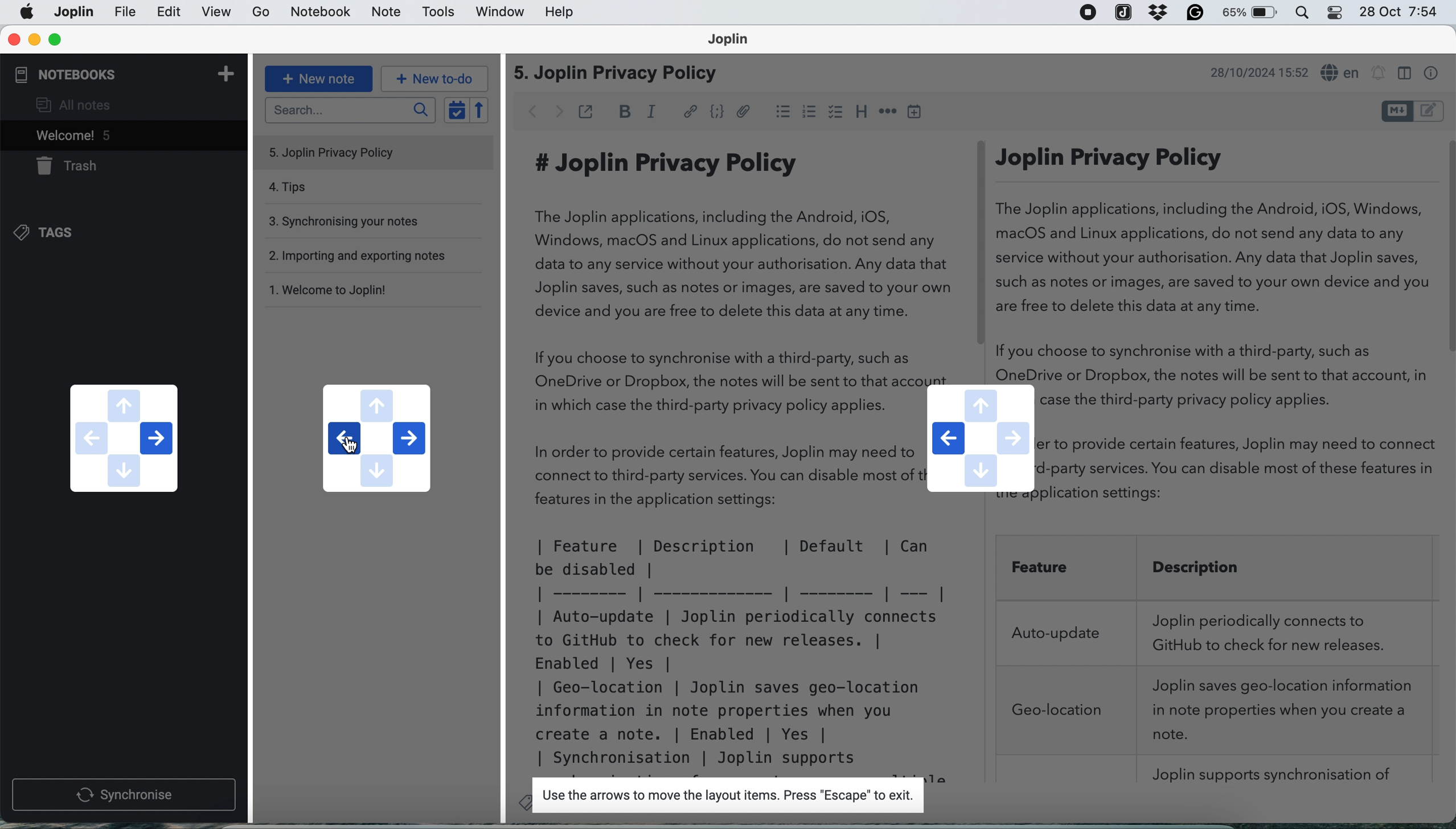  Describe the element at coordinates (1195, 14) in the screenshot. I see `grammarly` at that location.